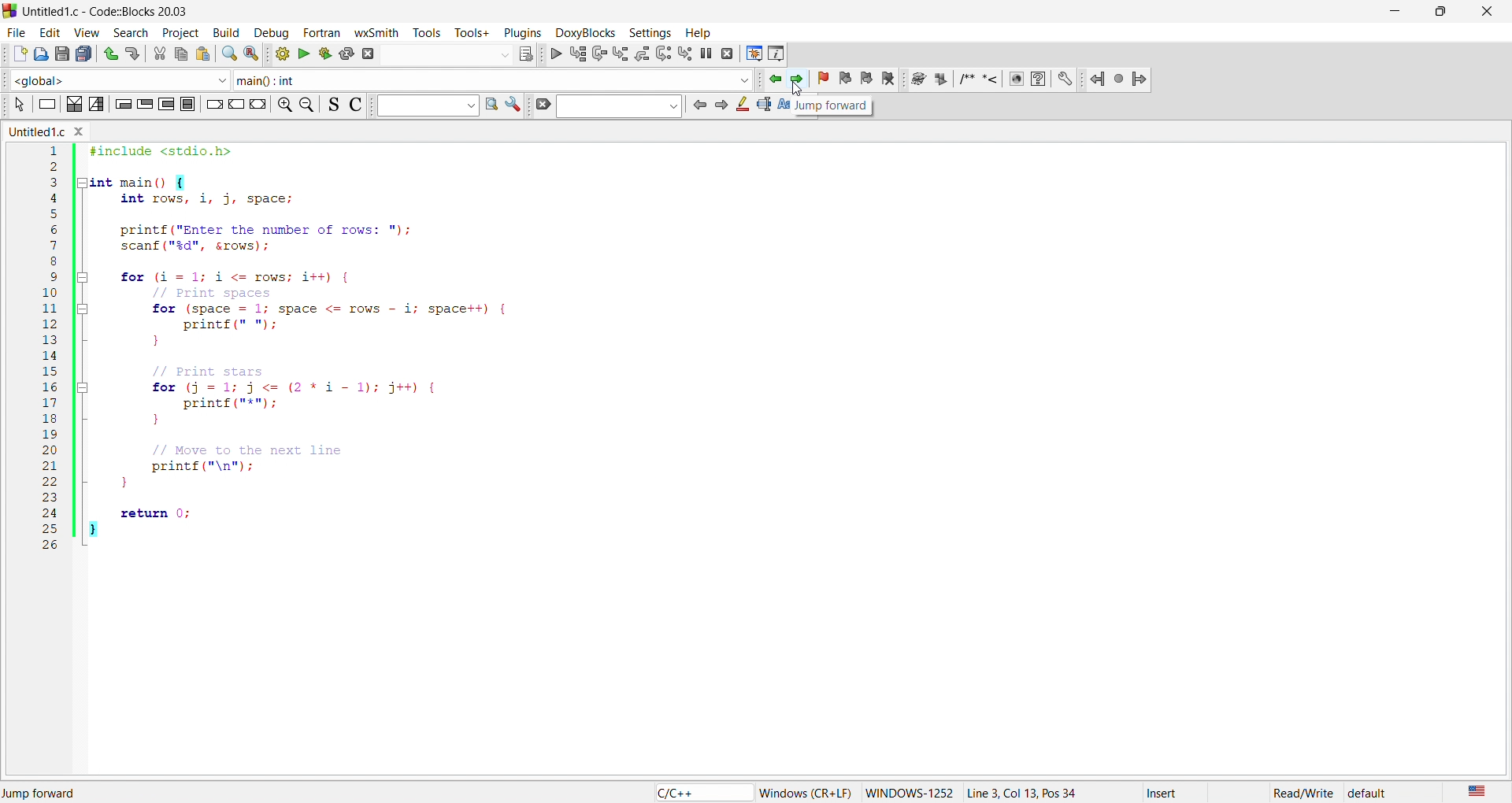 The width and height of the screenshot is (1512, 803). I want to click on help, so click(696, 31).